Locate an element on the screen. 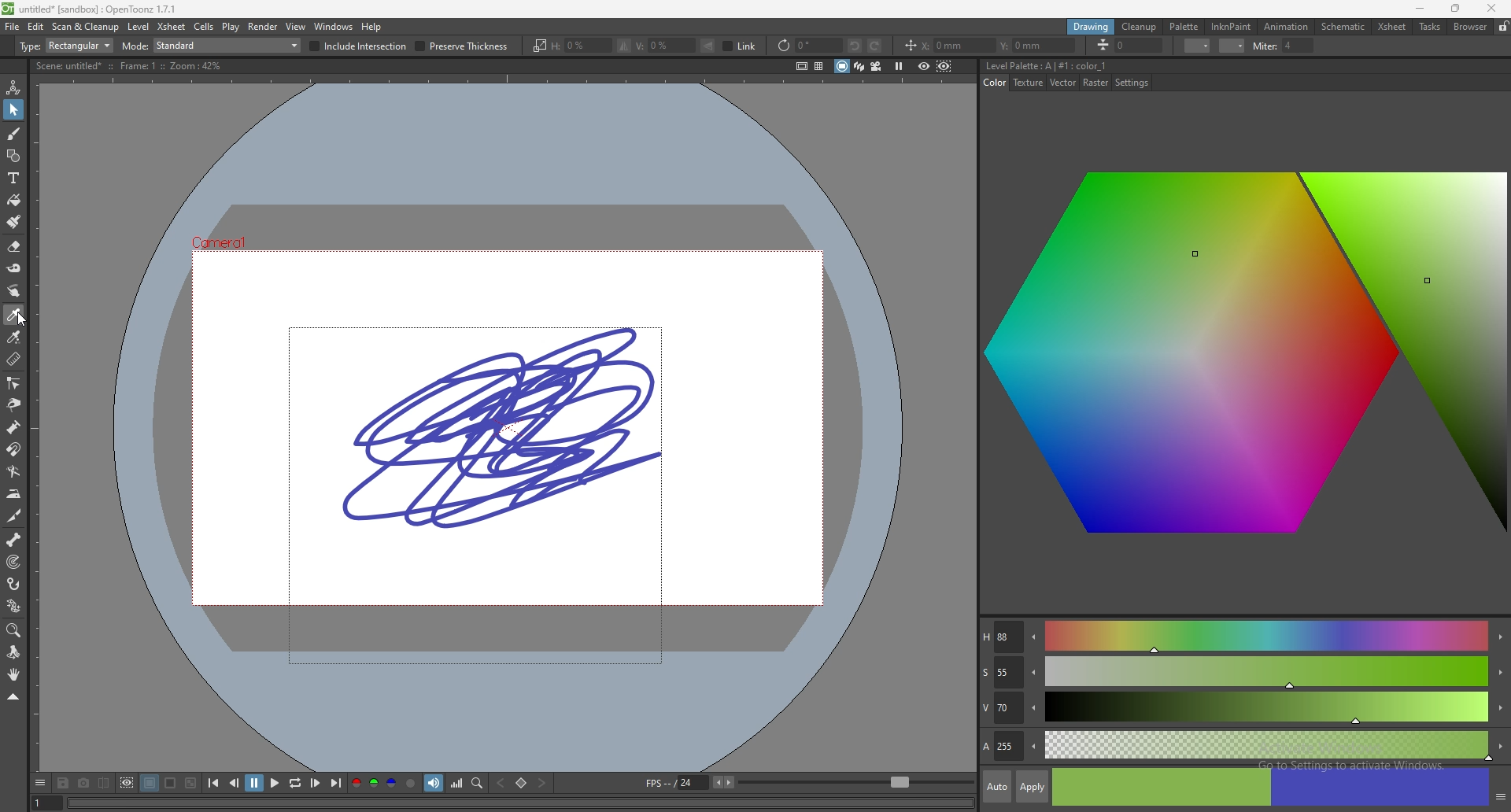 This screenshot has height=812, width=1511. loop is located at coordinates (294, 783).